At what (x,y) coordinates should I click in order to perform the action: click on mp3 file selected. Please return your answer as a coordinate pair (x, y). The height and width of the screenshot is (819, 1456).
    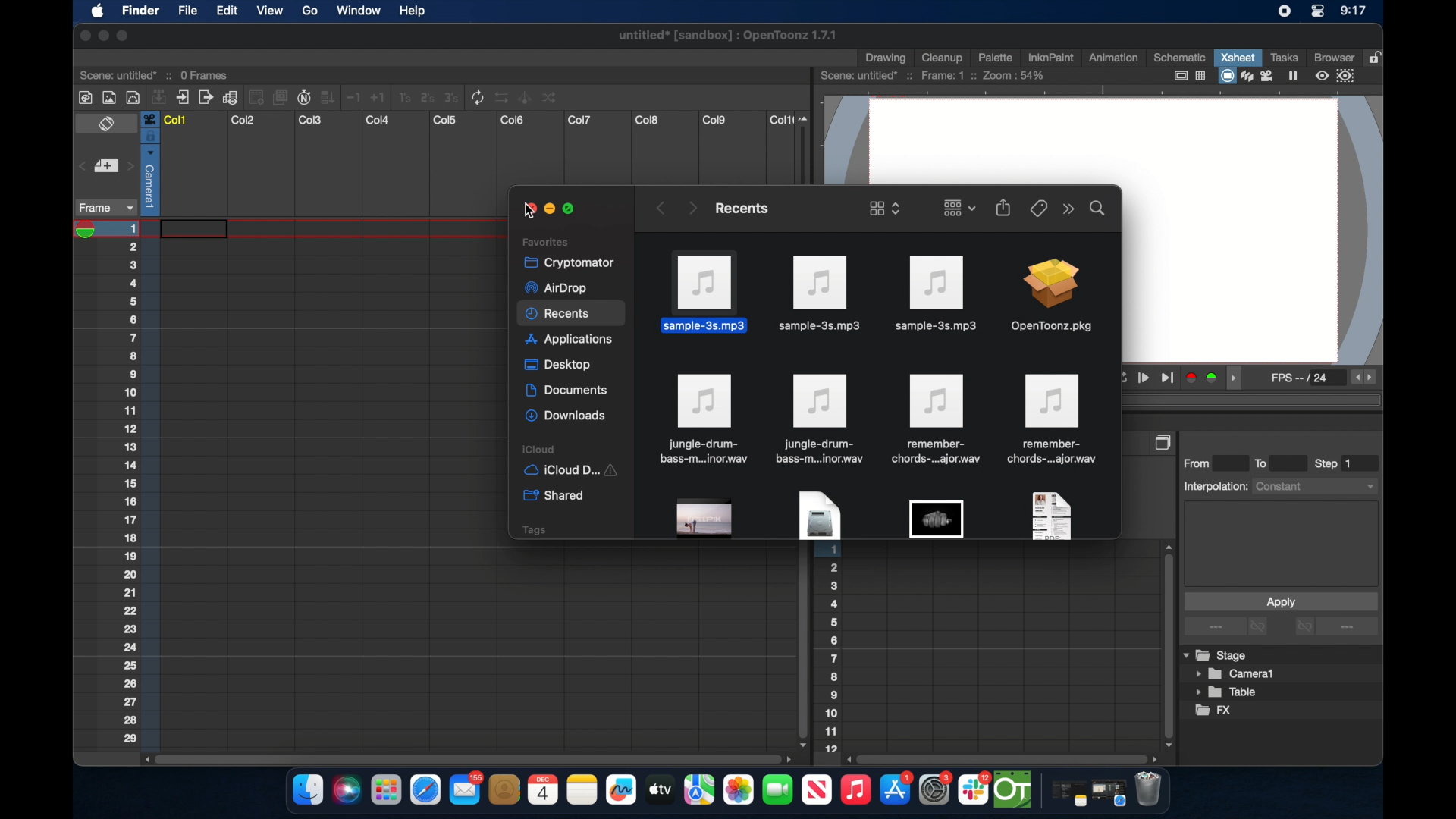
    Looking at the image, I should click on (708, 291).